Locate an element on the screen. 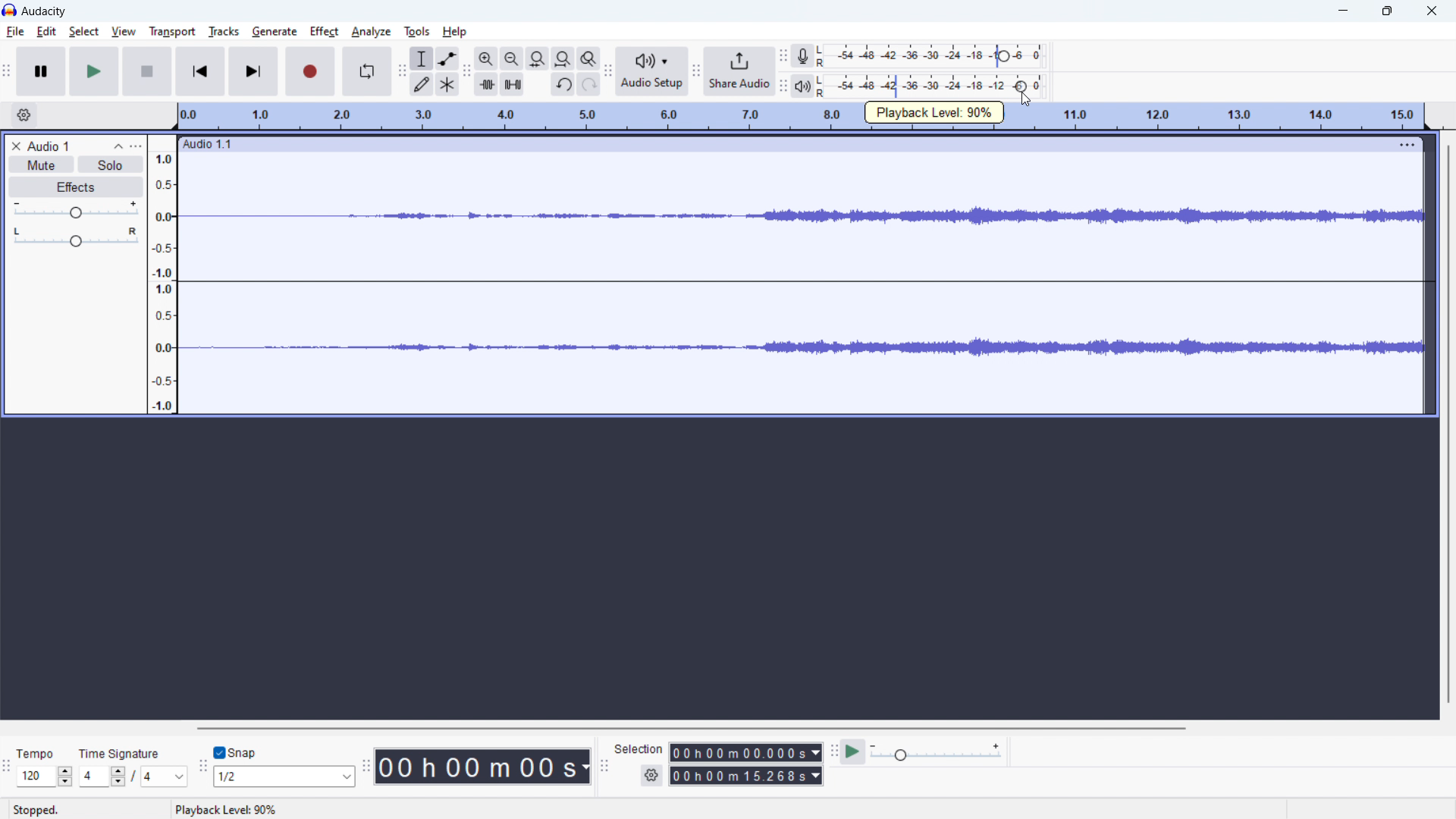  playback speed is located at coordinates (936, 752).